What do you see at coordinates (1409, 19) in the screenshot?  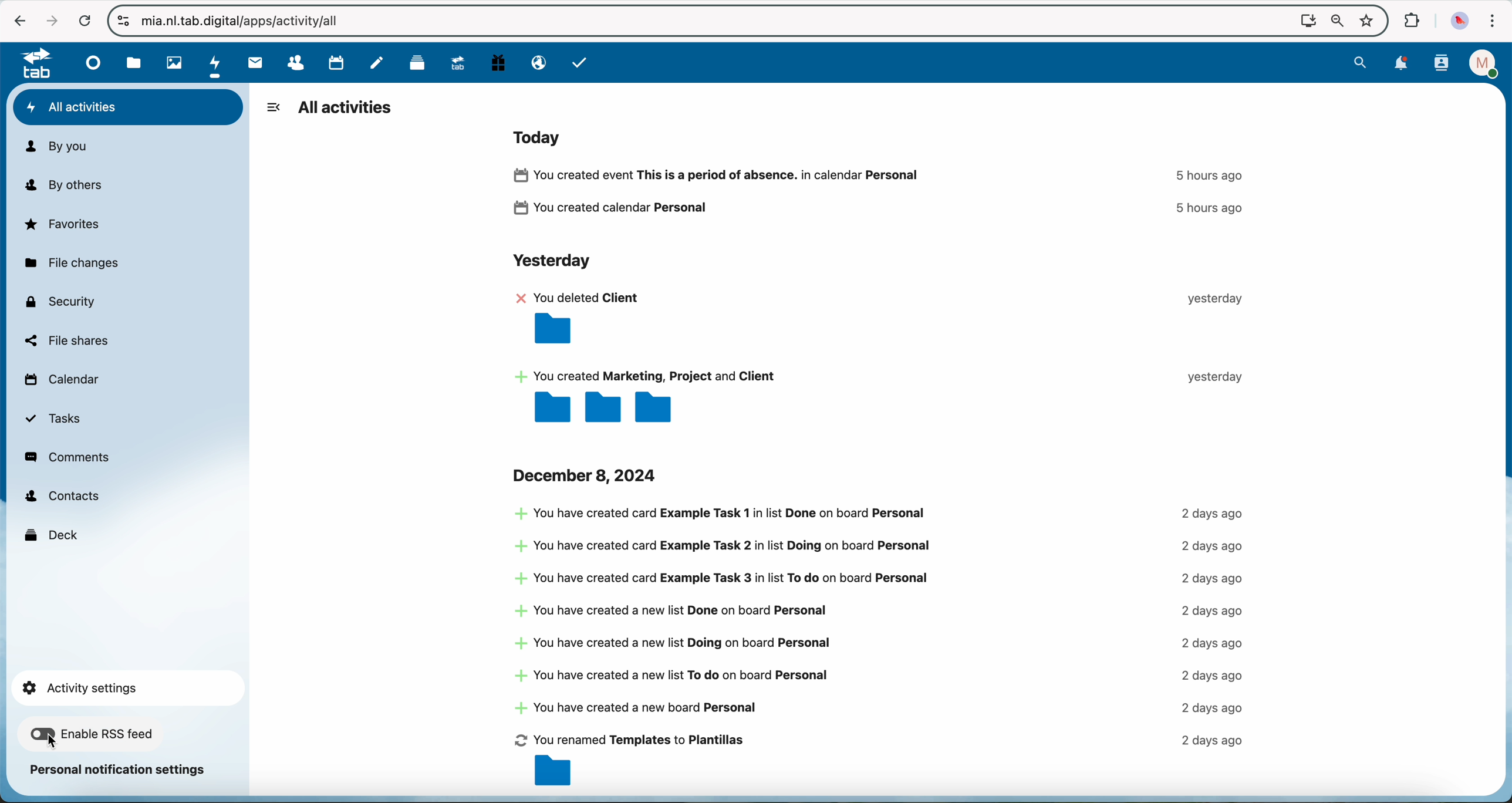 I see `extensions` at bounding box center [1409, 19].